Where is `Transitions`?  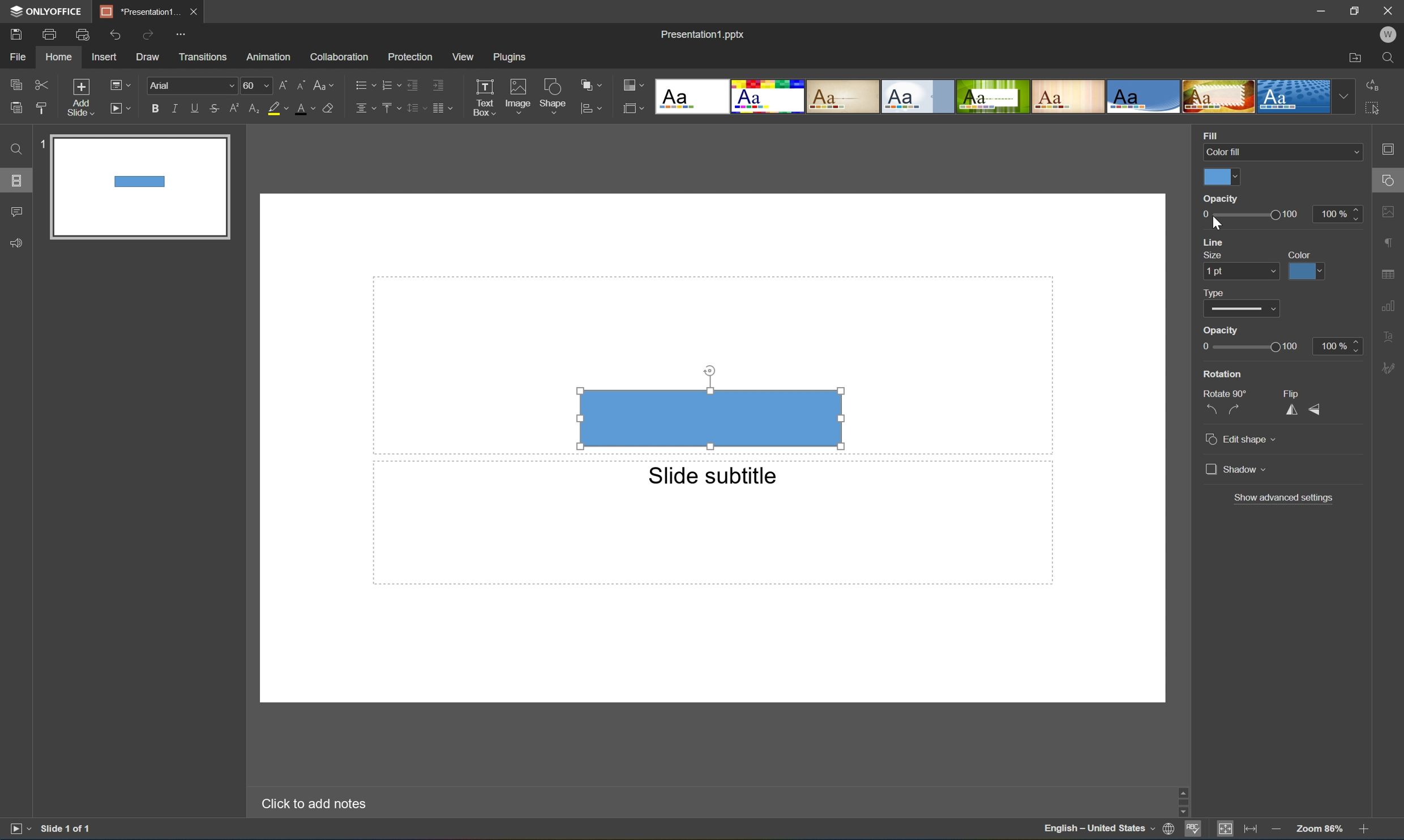 Transitions is located at coordinates (201, 57).